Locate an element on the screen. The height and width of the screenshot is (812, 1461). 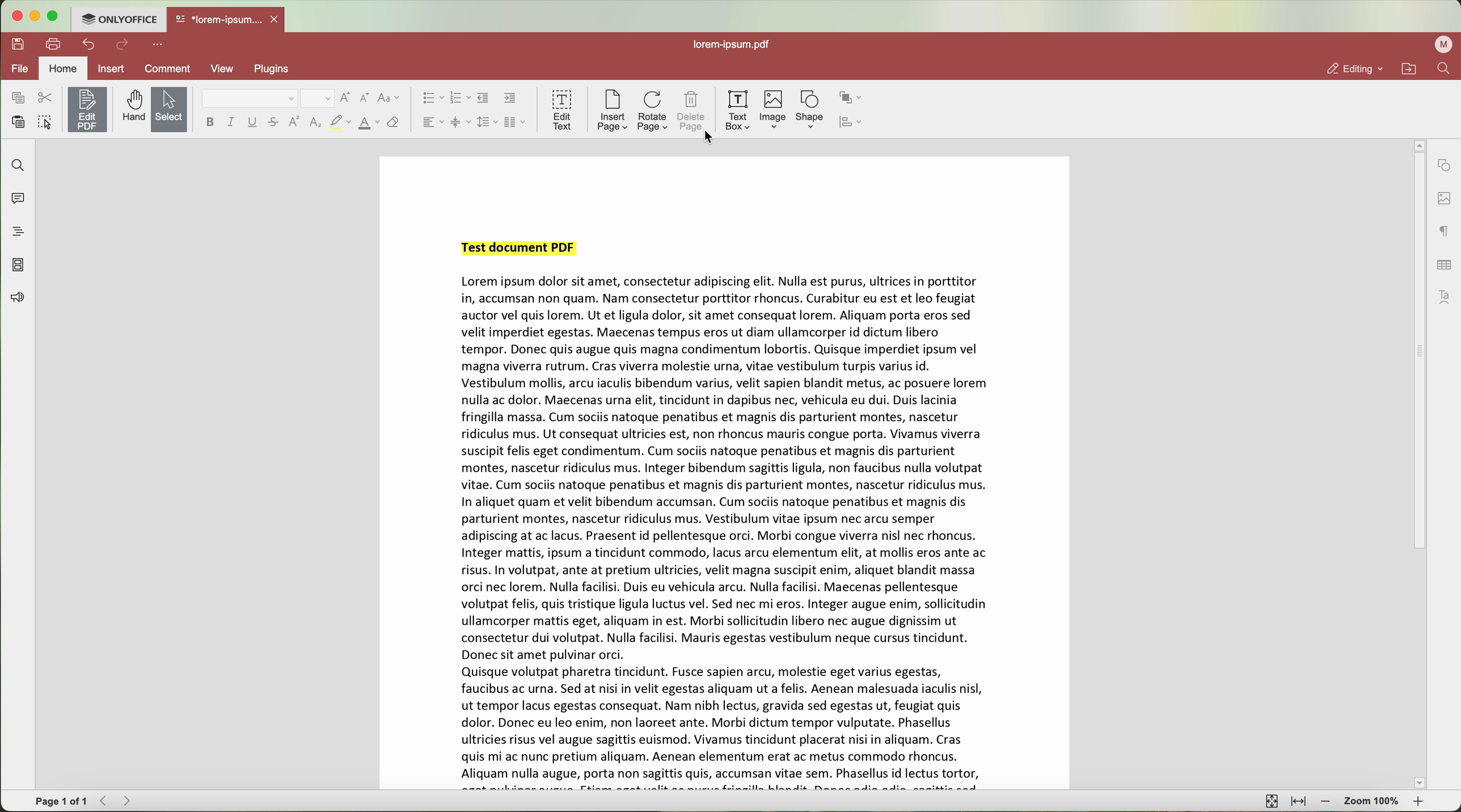
file is located at coordinates (19, 70).